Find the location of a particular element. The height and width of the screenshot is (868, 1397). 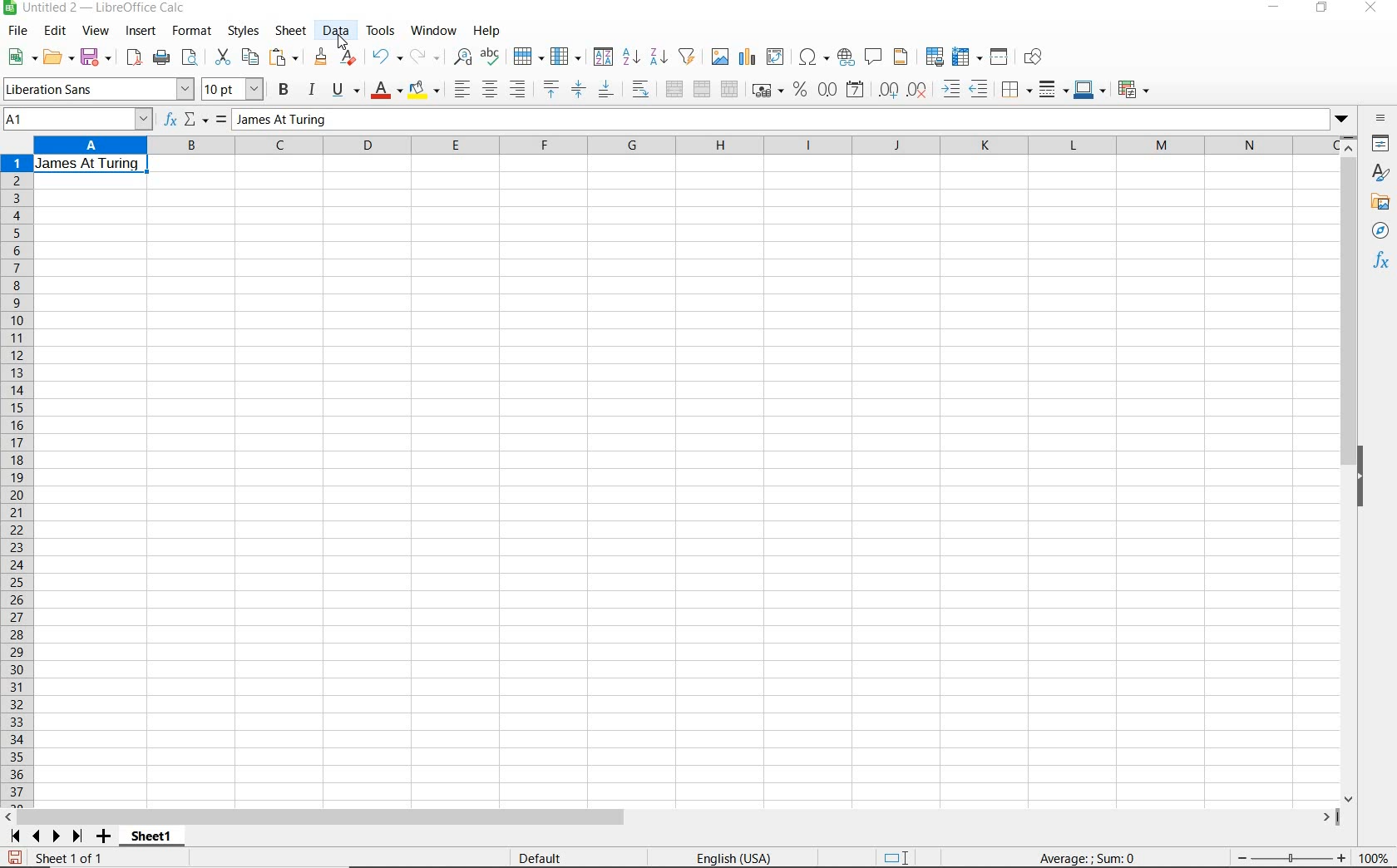

styles is located at coordinates (1382, 175).